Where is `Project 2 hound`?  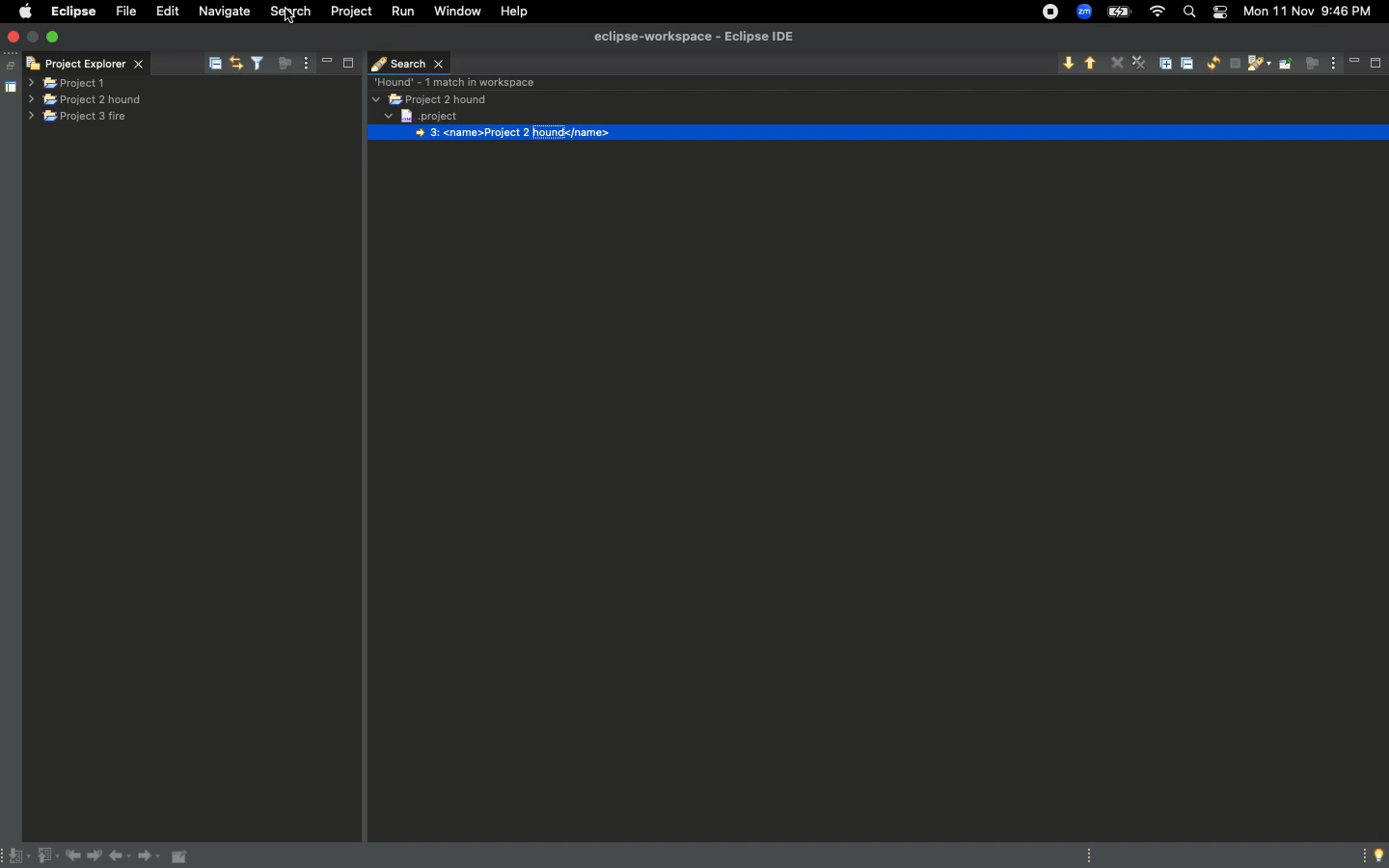 Project 2 hound is located at coordinates (88, 100).